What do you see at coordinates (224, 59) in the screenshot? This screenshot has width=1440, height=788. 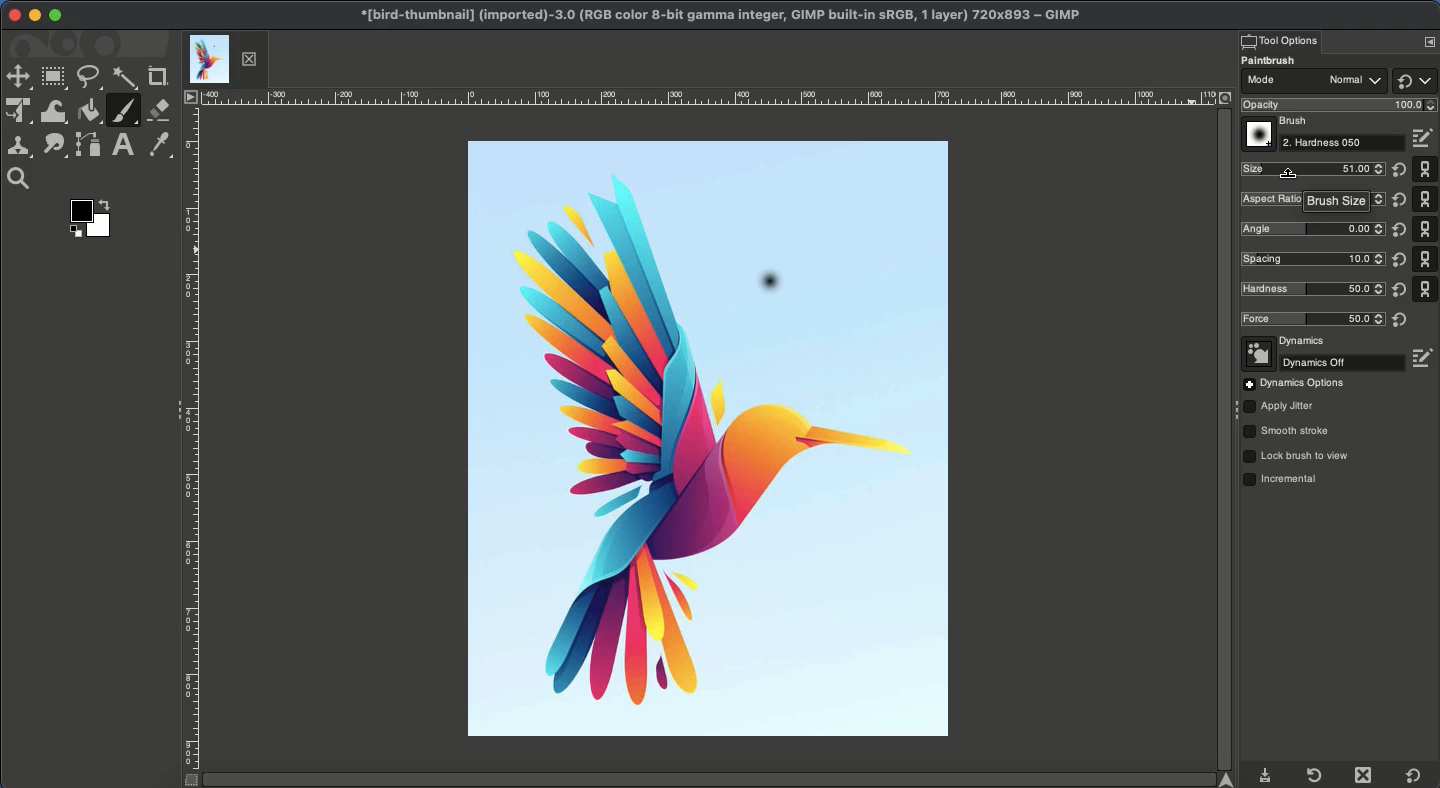 I see `Tab` at bounding box center [224, 59].